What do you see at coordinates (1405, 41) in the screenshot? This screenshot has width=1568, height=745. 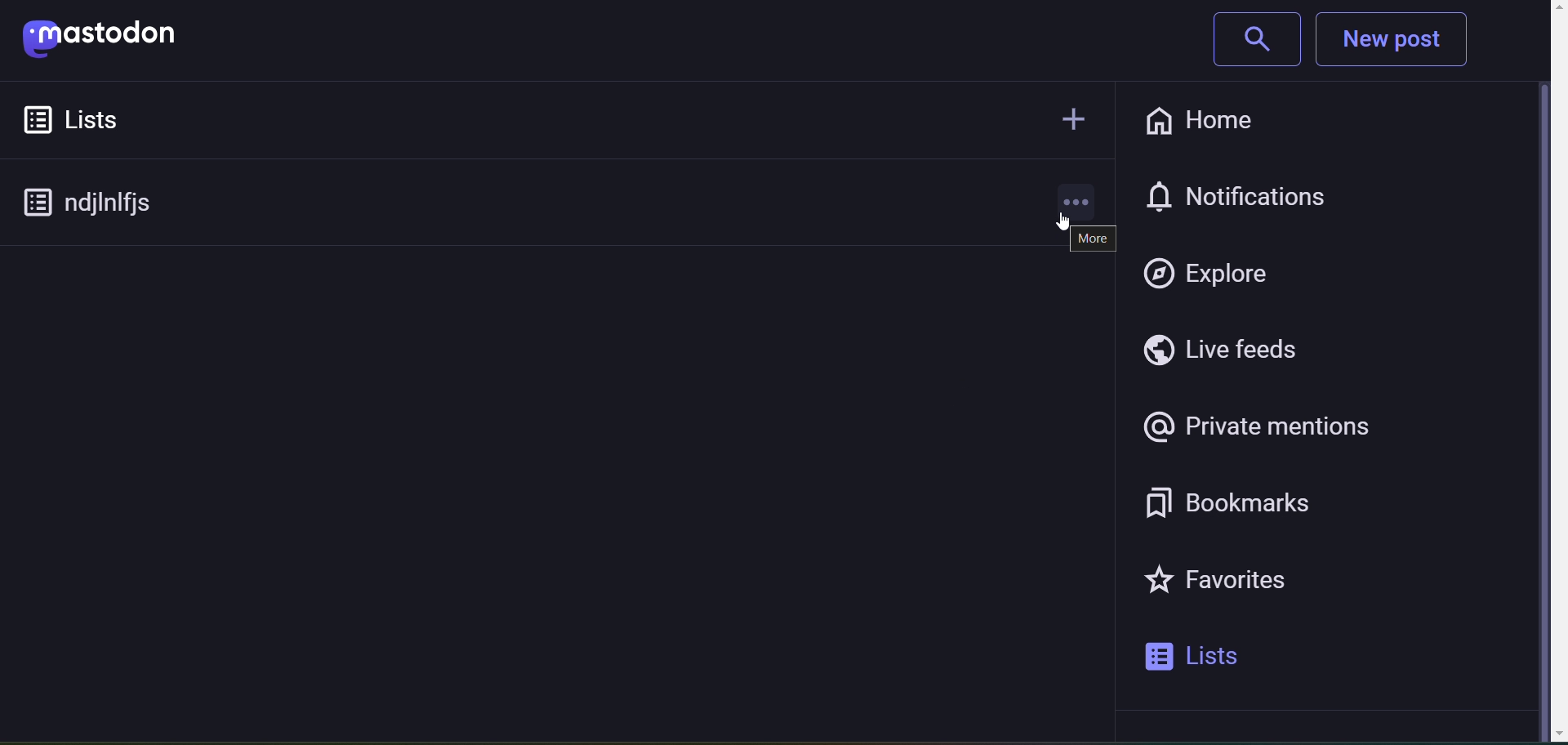 I see `new post` at bounding box center [1405, 41].